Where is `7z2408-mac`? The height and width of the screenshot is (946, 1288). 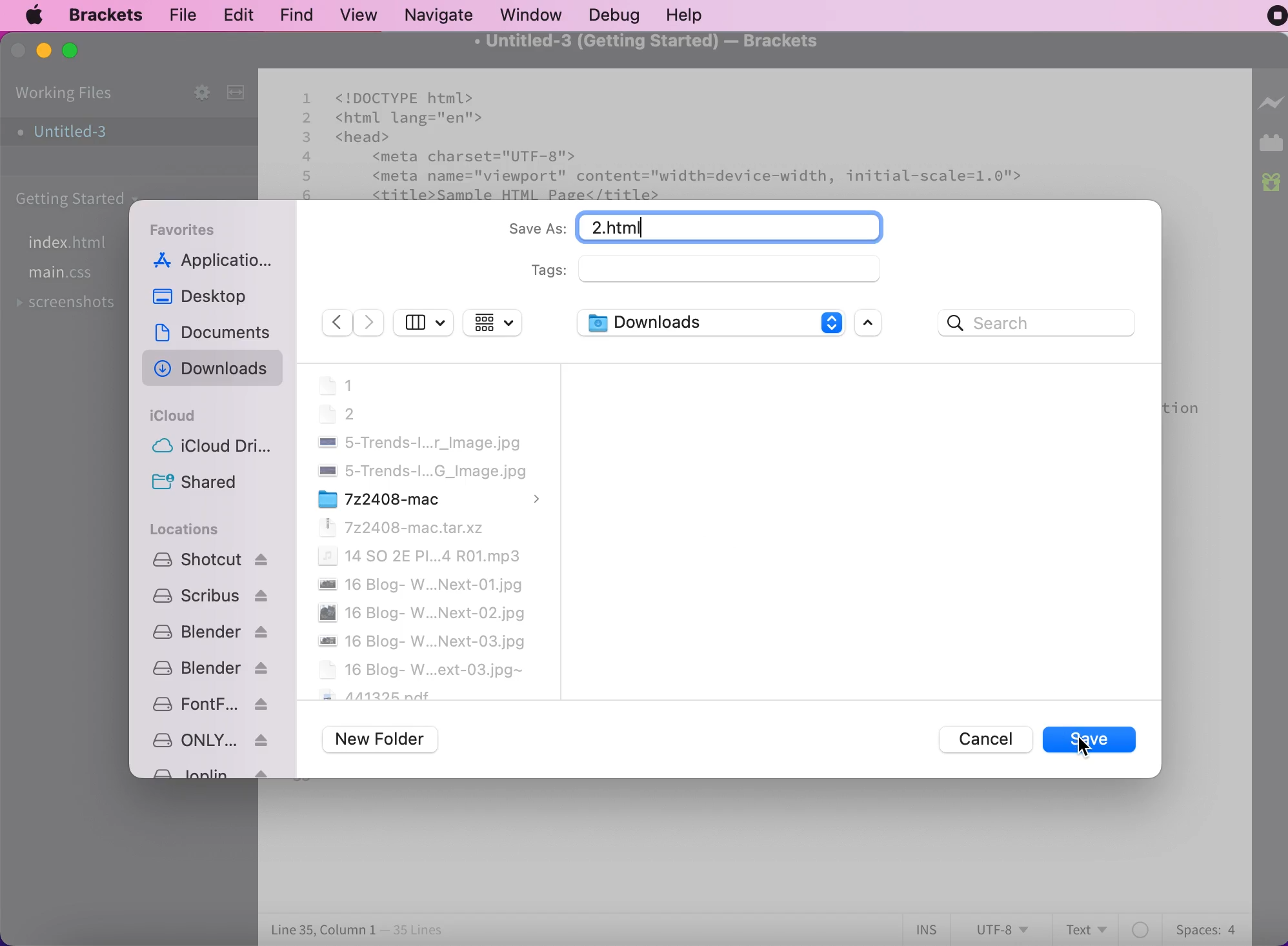 7z2408-mac is located at coordinates (429, 498).